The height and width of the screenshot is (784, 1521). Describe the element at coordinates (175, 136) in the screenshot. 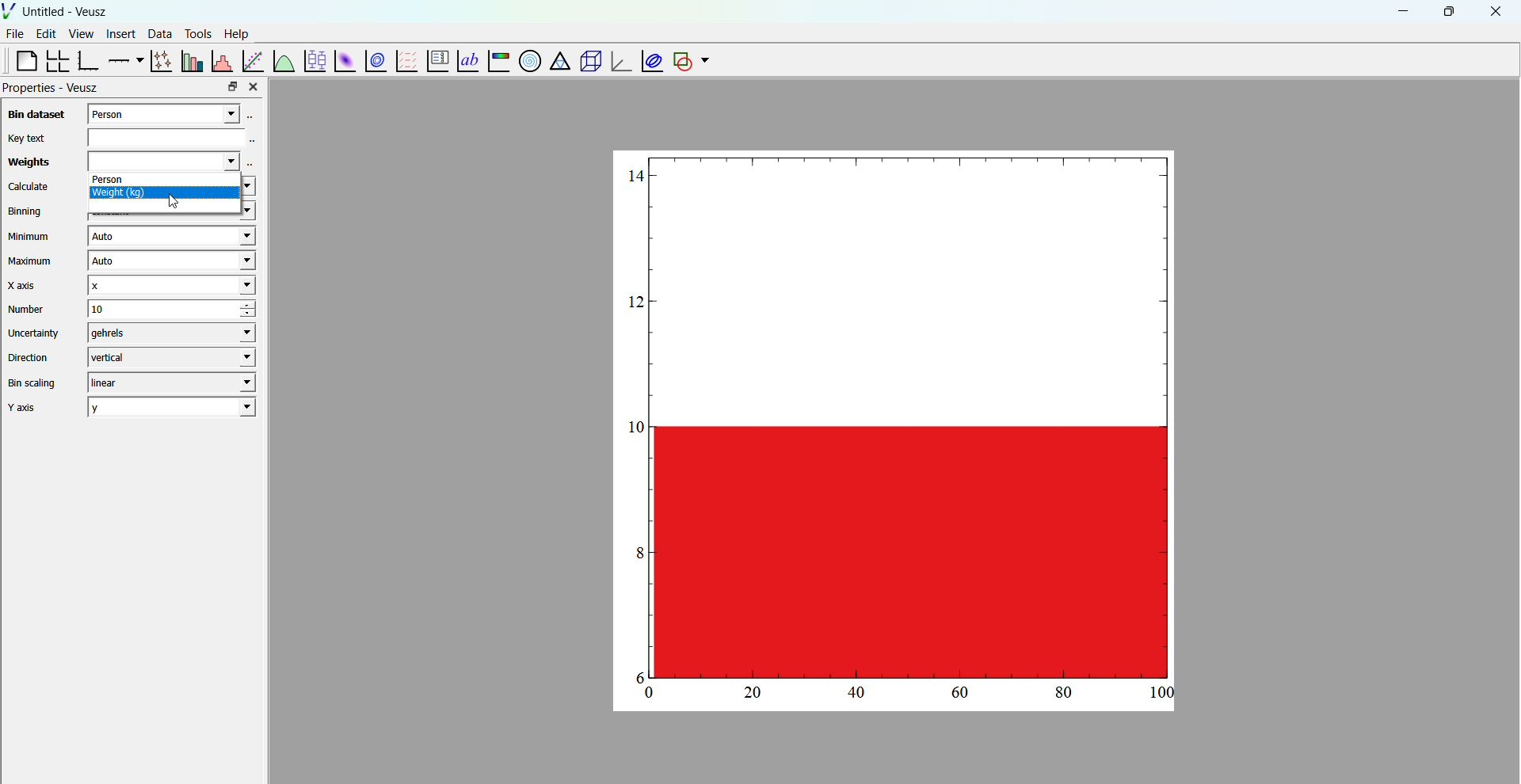

I see `Key Text Area` at that location.